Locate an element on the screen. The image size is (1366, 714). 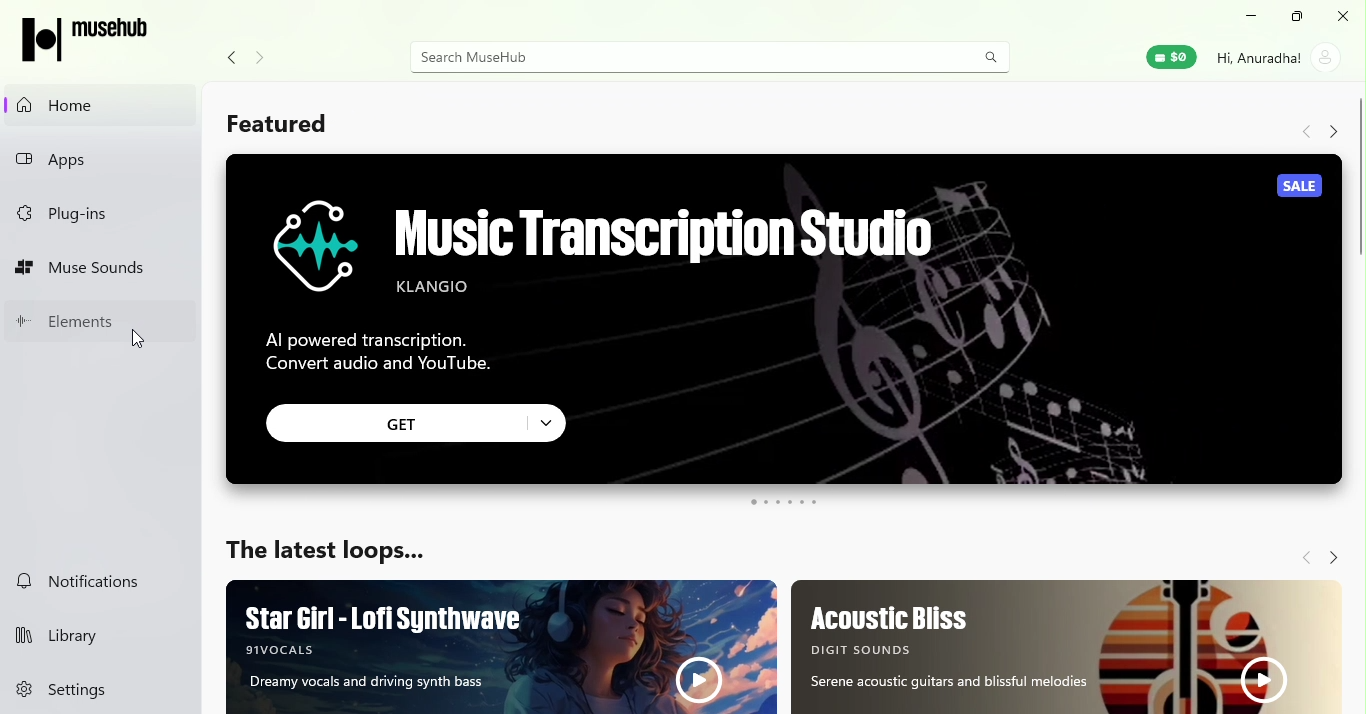
Ad is located at coordinates (779, 317).